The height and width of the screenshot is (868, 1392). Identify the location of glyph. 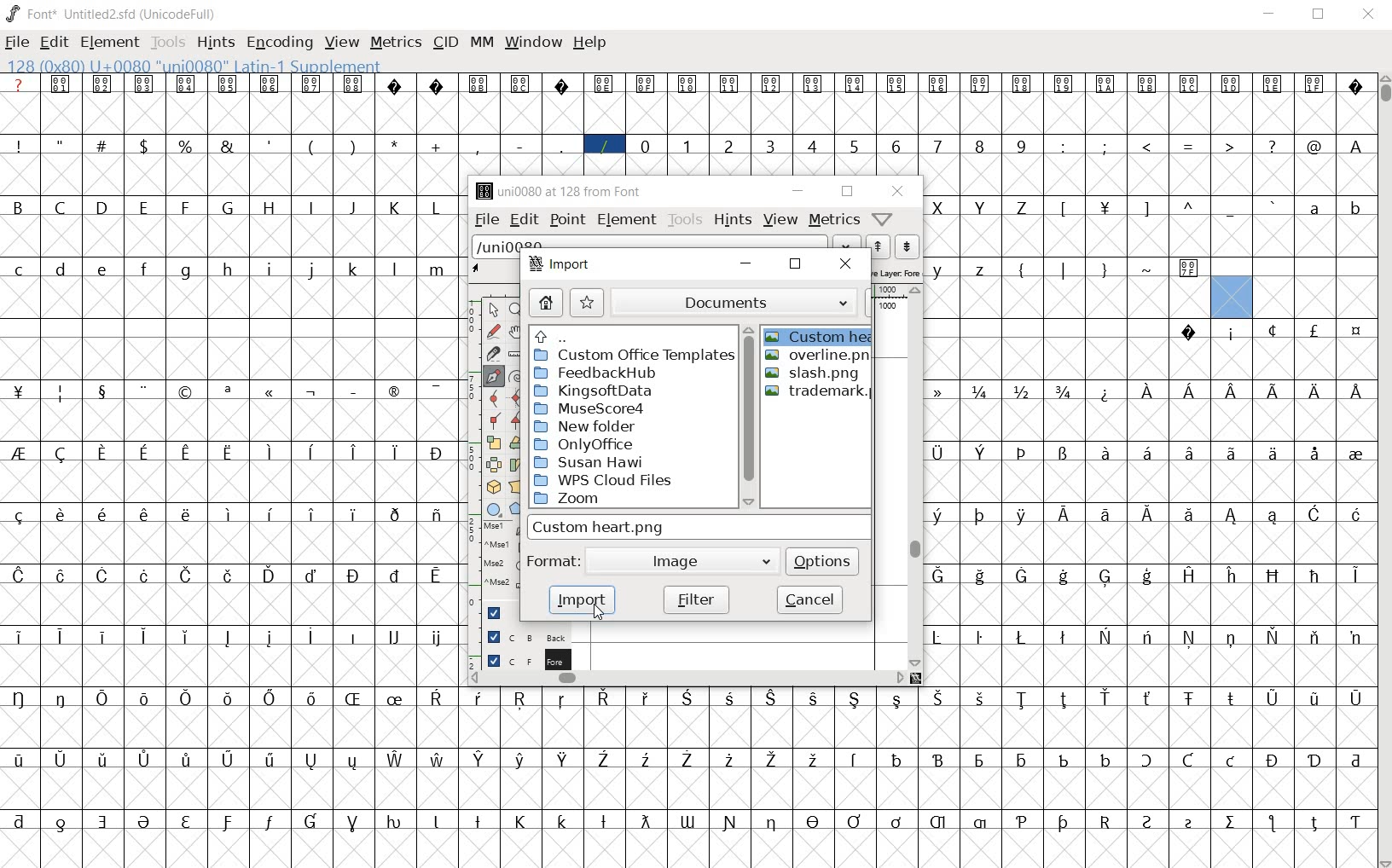
(1064, 513).